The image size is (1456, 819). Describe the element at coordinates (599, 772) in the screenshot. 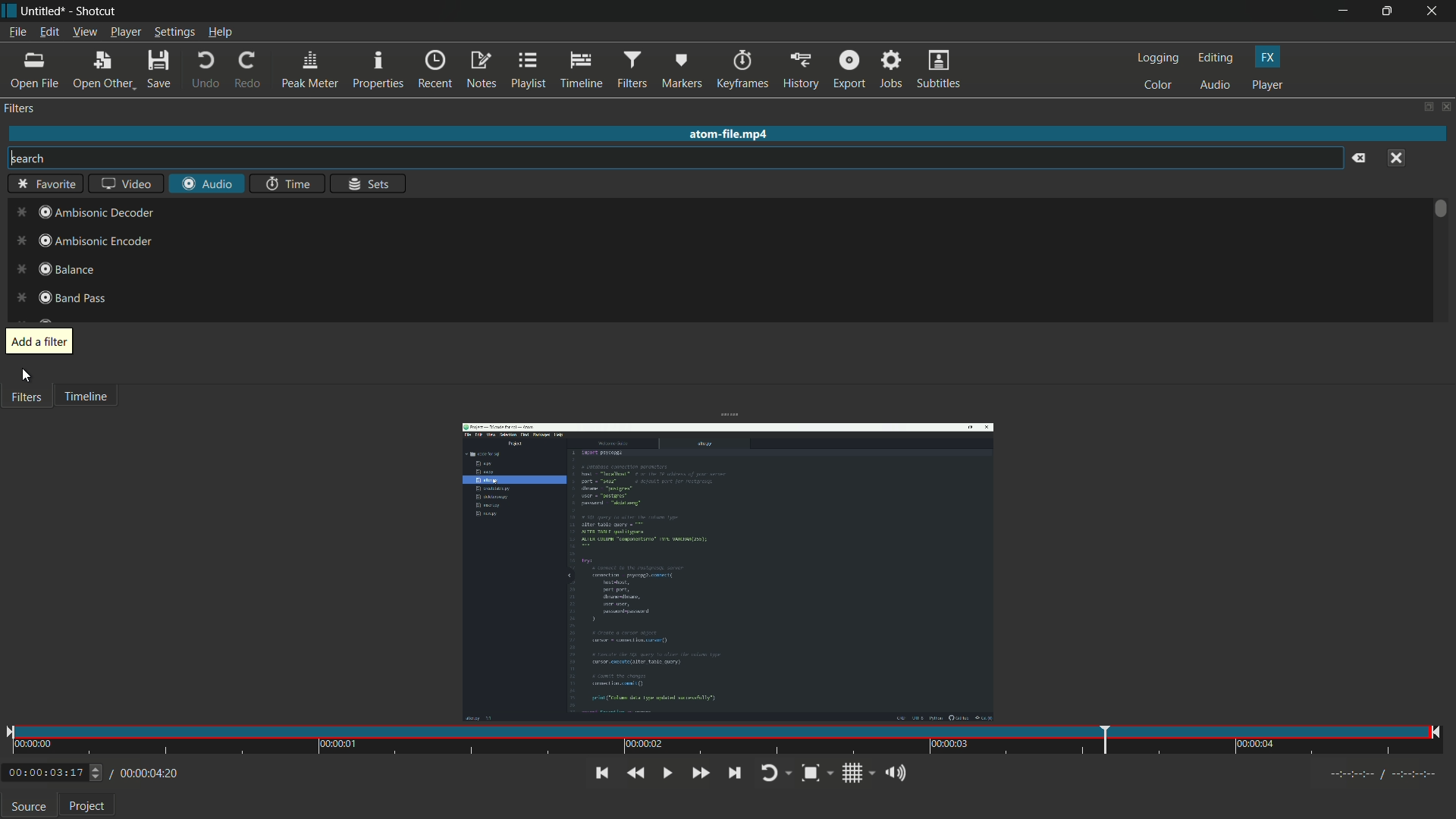

I see `skip to previous point` at that location.